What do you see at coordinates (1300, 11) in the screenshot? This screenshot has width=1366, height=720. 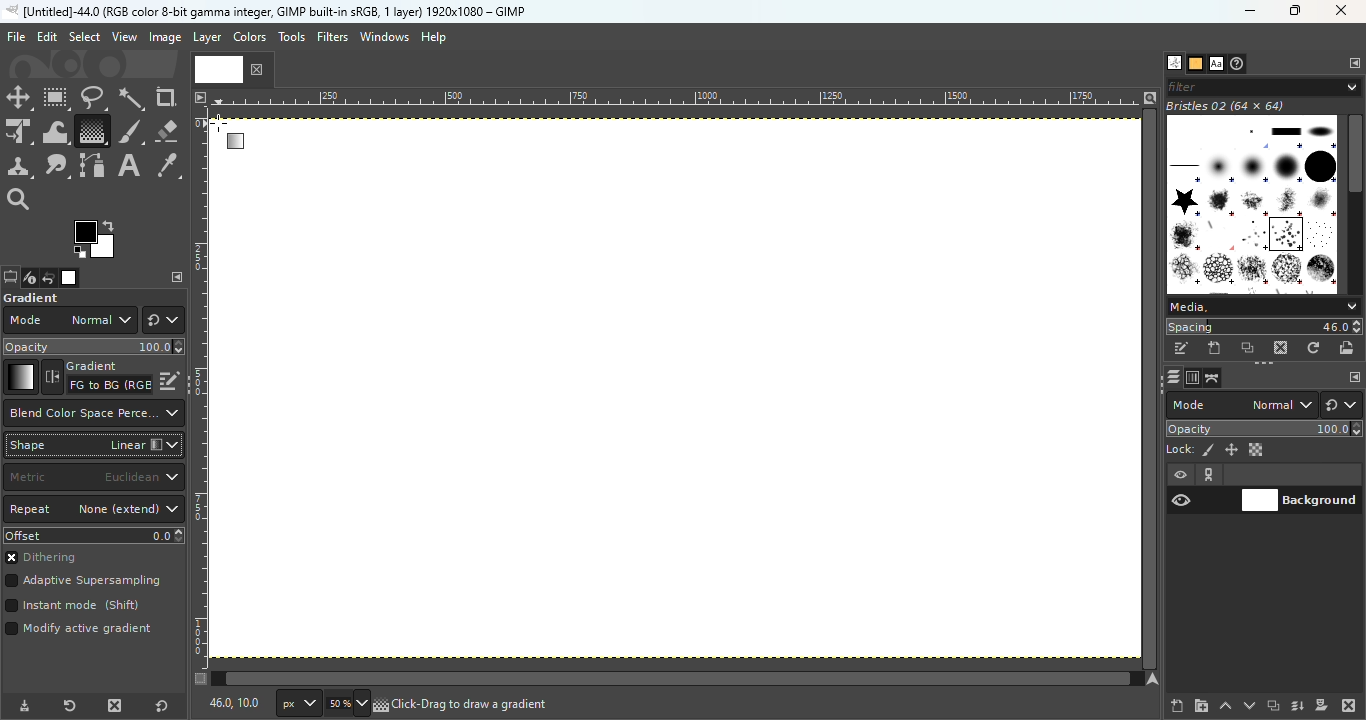 I see `Maximize` at bounding box center [1300, 11].